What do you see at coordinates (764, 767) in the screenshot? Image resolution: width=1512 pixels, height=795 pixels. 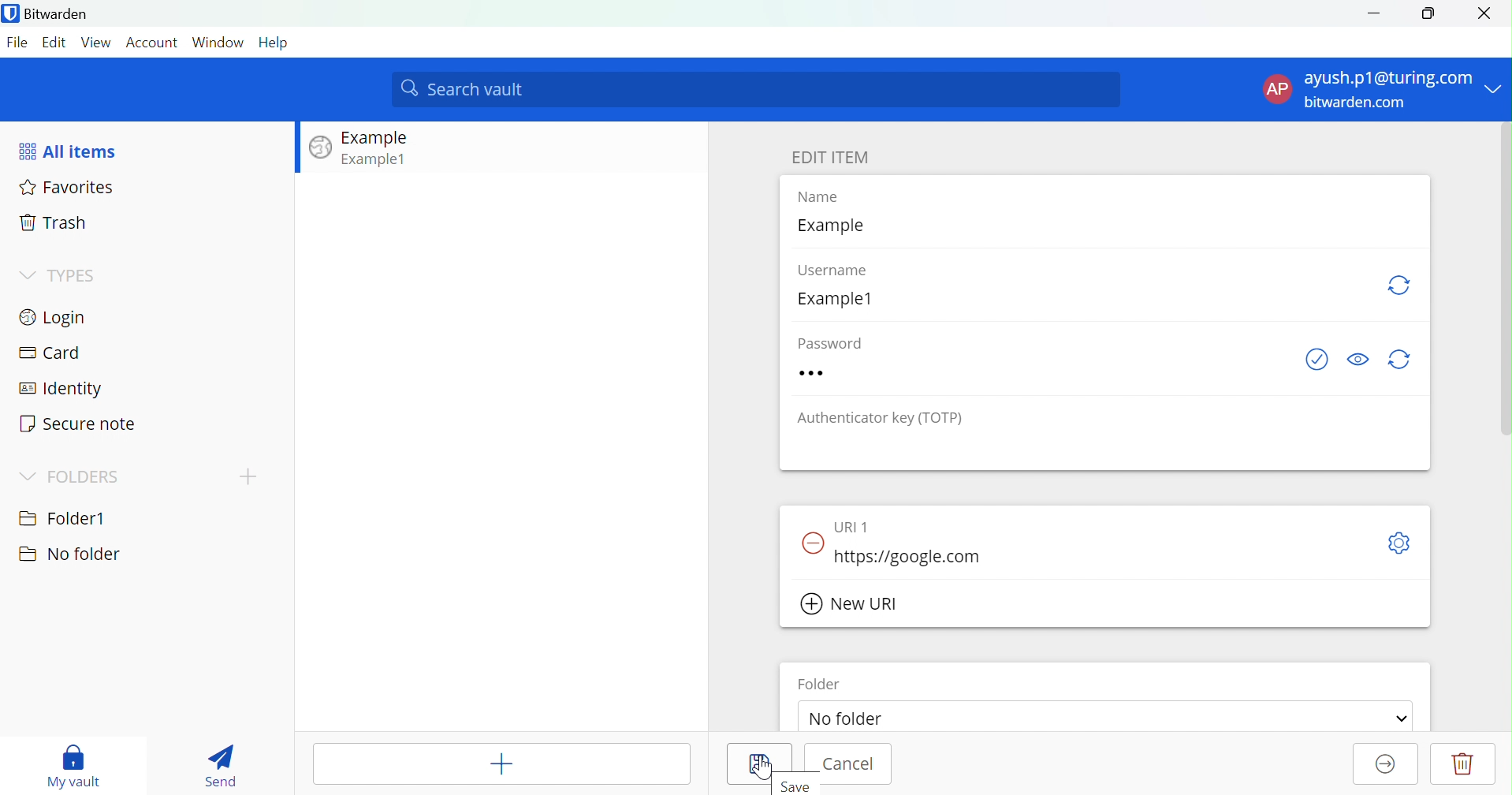 I see `Cursor` at bounding box center [764, 767].